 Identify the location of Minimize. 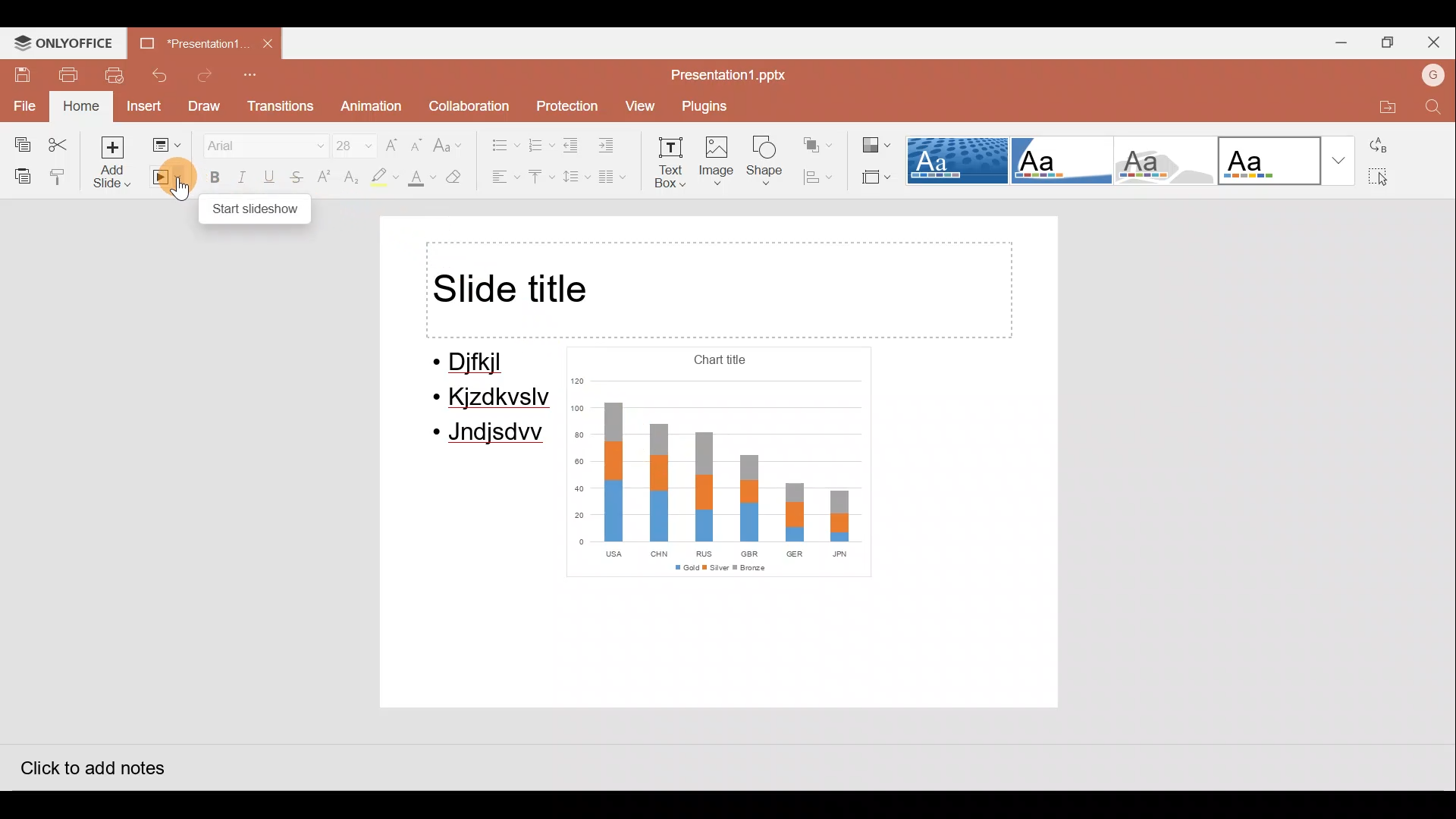
(1338, 41).